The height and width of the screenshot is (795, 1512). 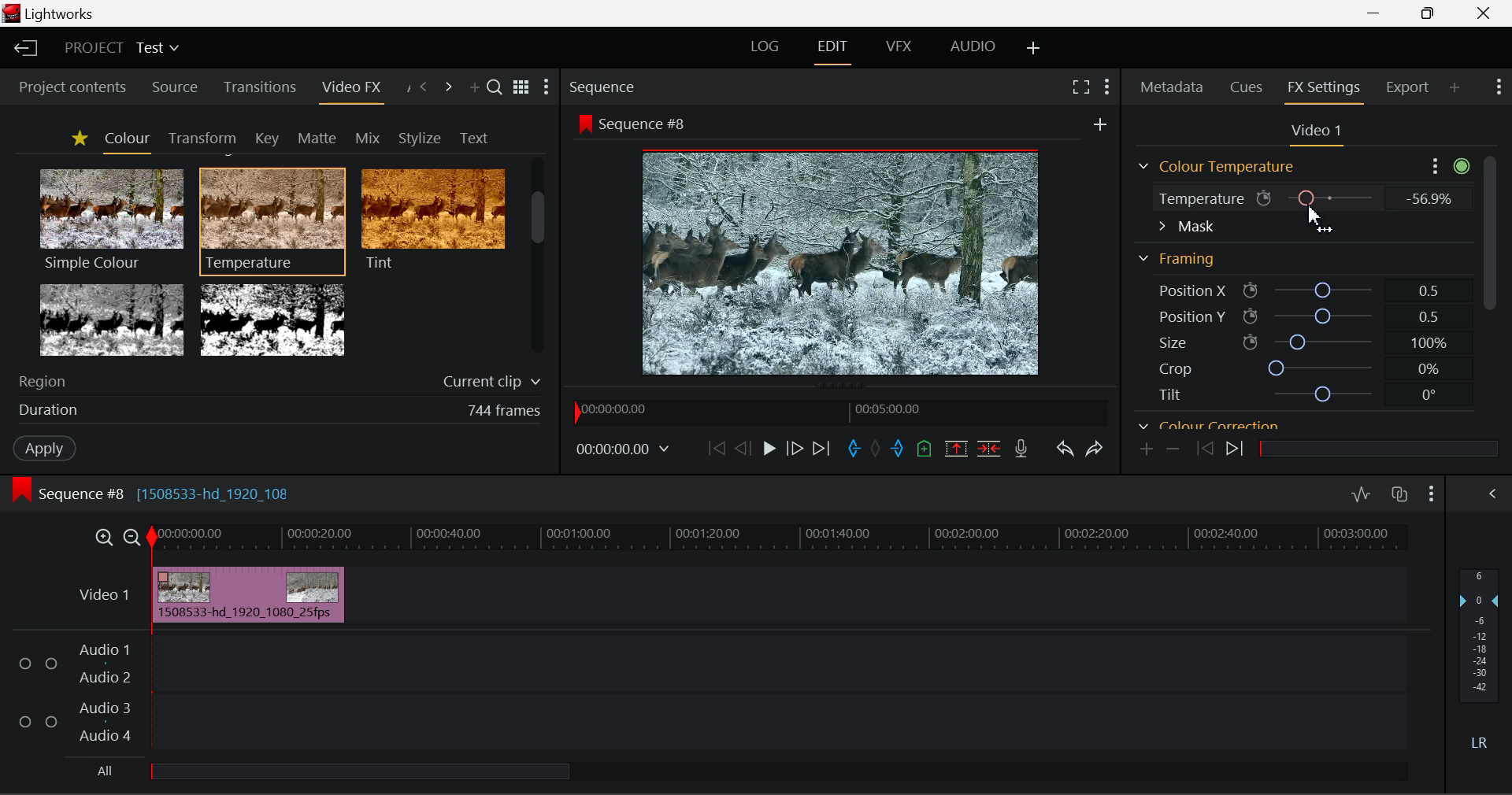 I want to click on Temperature, so click(x=1332, y=197).